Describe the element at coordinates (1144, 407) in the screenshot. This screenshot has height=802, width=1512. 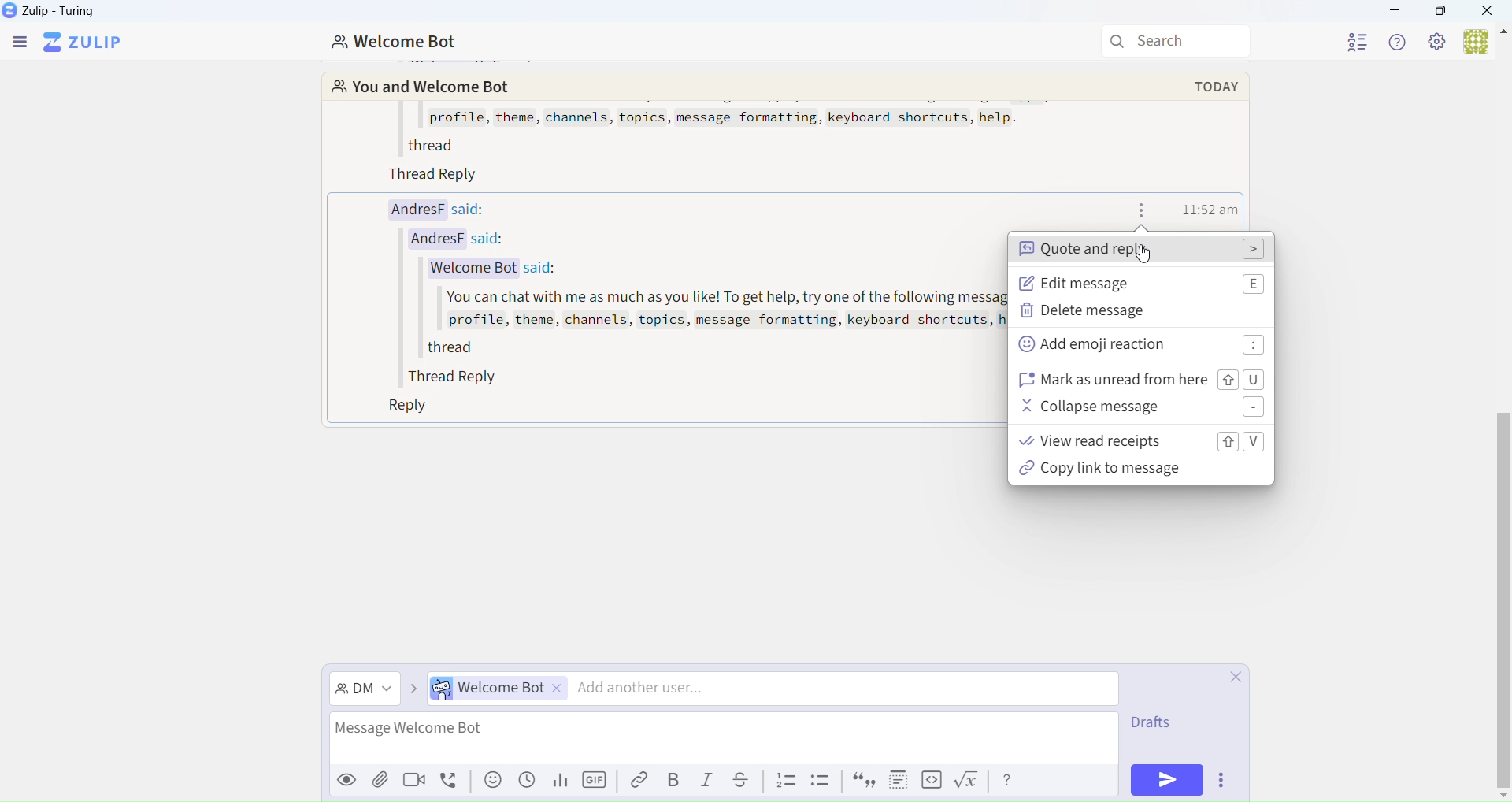
I see `collapse message` at that location.